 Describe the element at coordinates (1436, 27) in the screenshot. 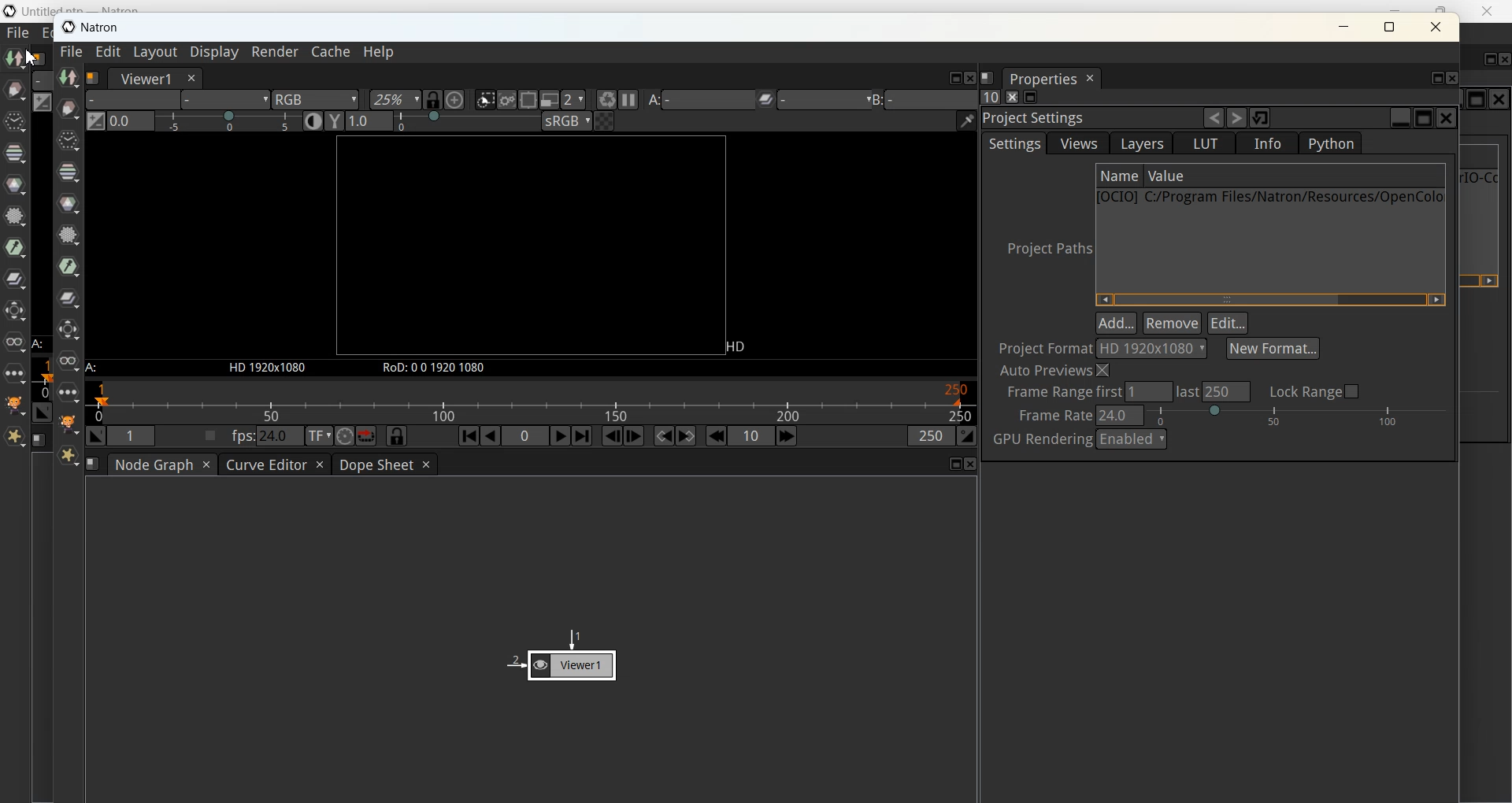

I see `Close` at that location.